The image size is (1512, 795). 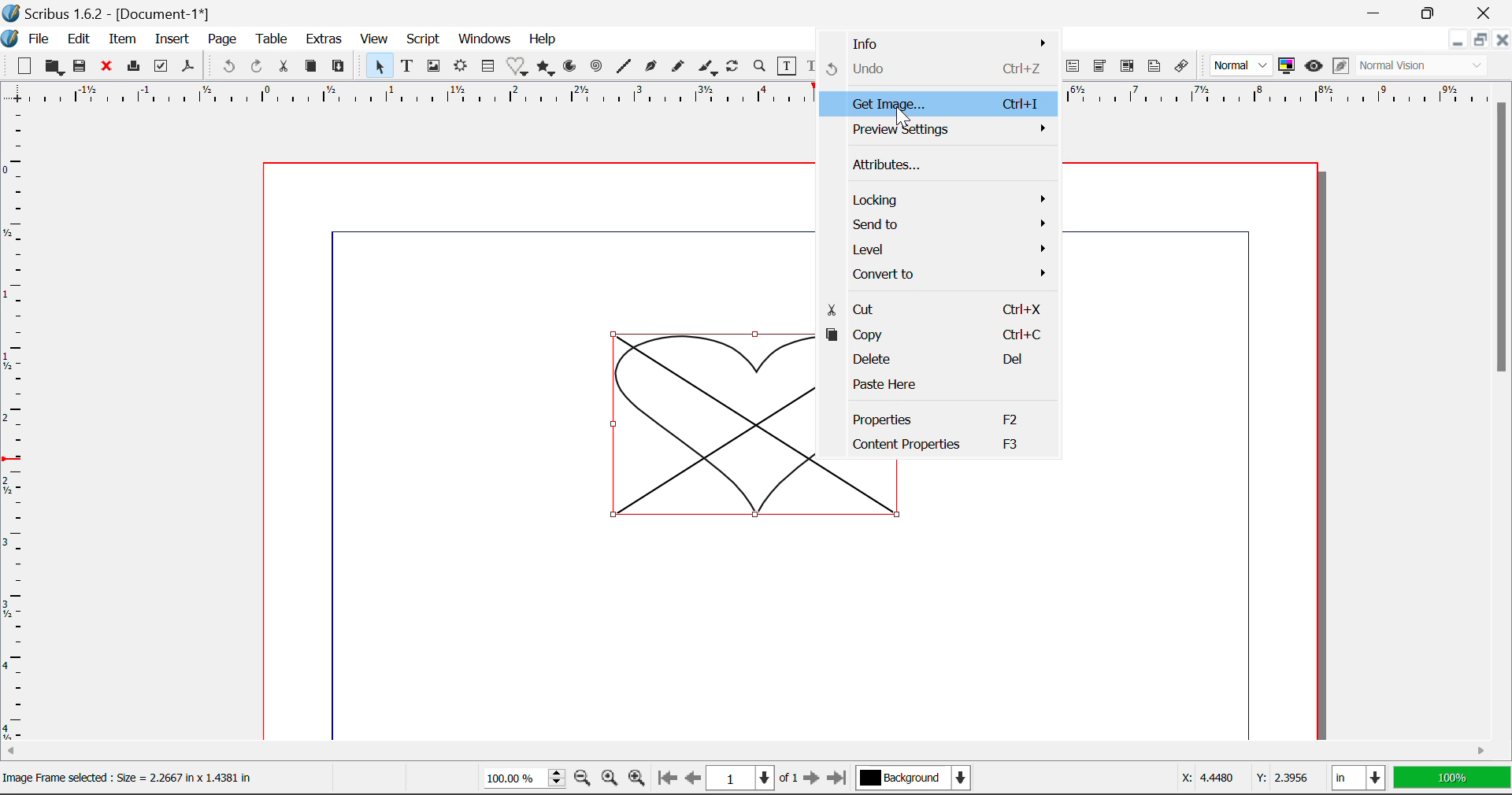 I want to click on Cut, so click(x=936, y=308).